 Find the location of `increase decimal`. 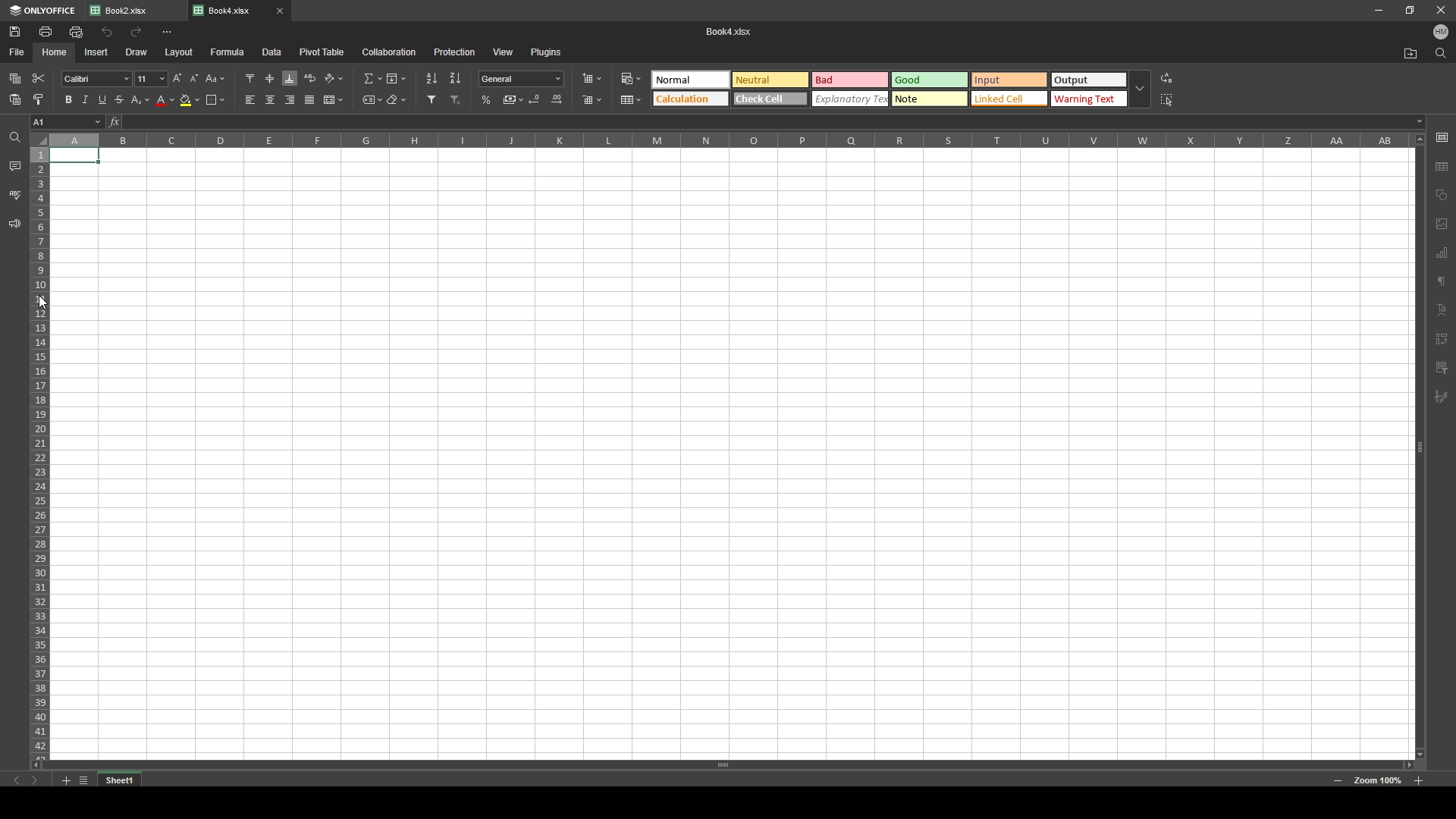

increase decimal is located at coordinates (557, 99).